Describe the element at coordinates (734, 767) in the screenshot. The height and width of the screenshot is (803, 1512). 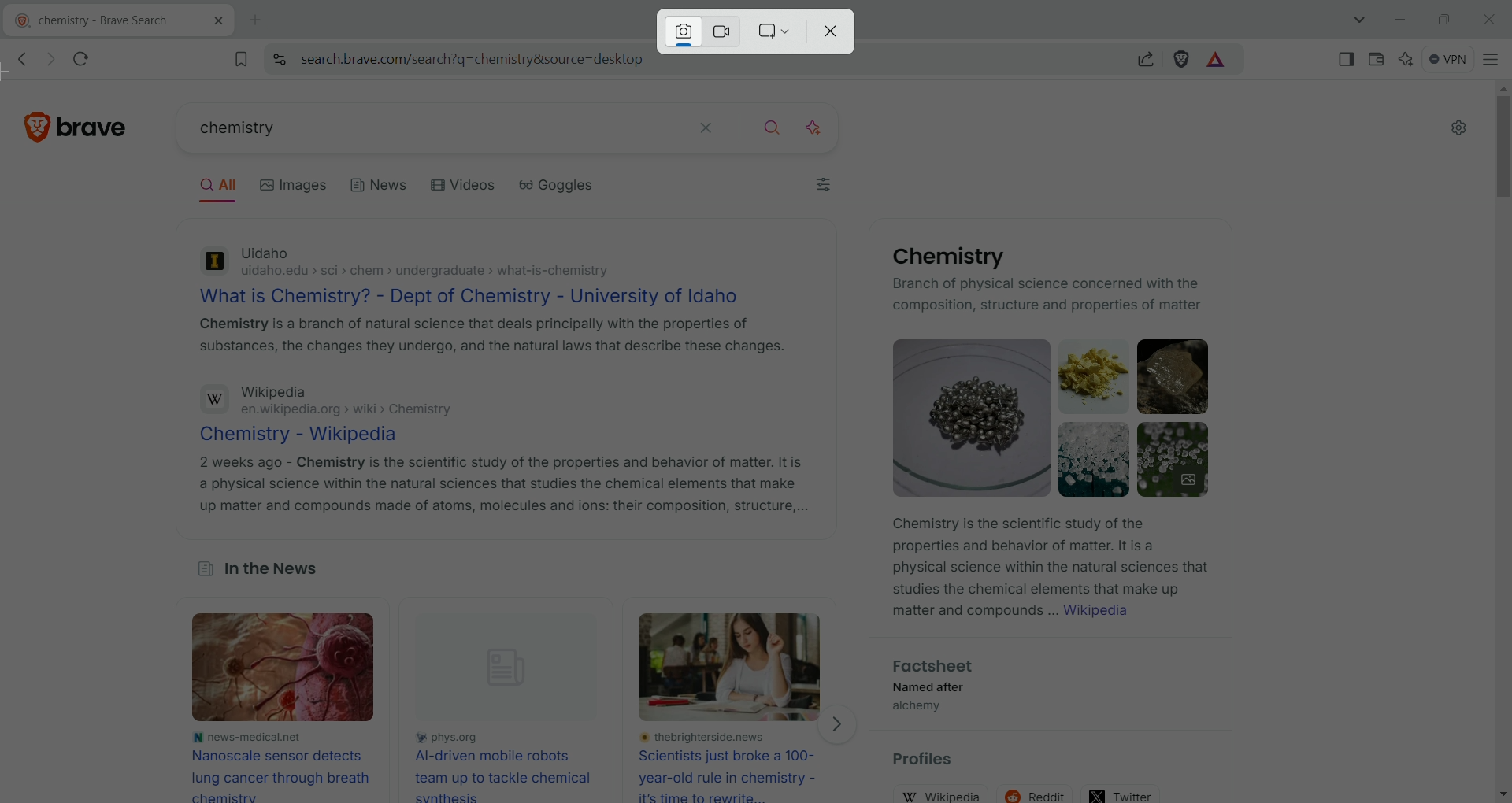
I see `thebrighterside.news scientists just broke a 100-year-old rule in chemistry - it's time to rewrite` at that location.